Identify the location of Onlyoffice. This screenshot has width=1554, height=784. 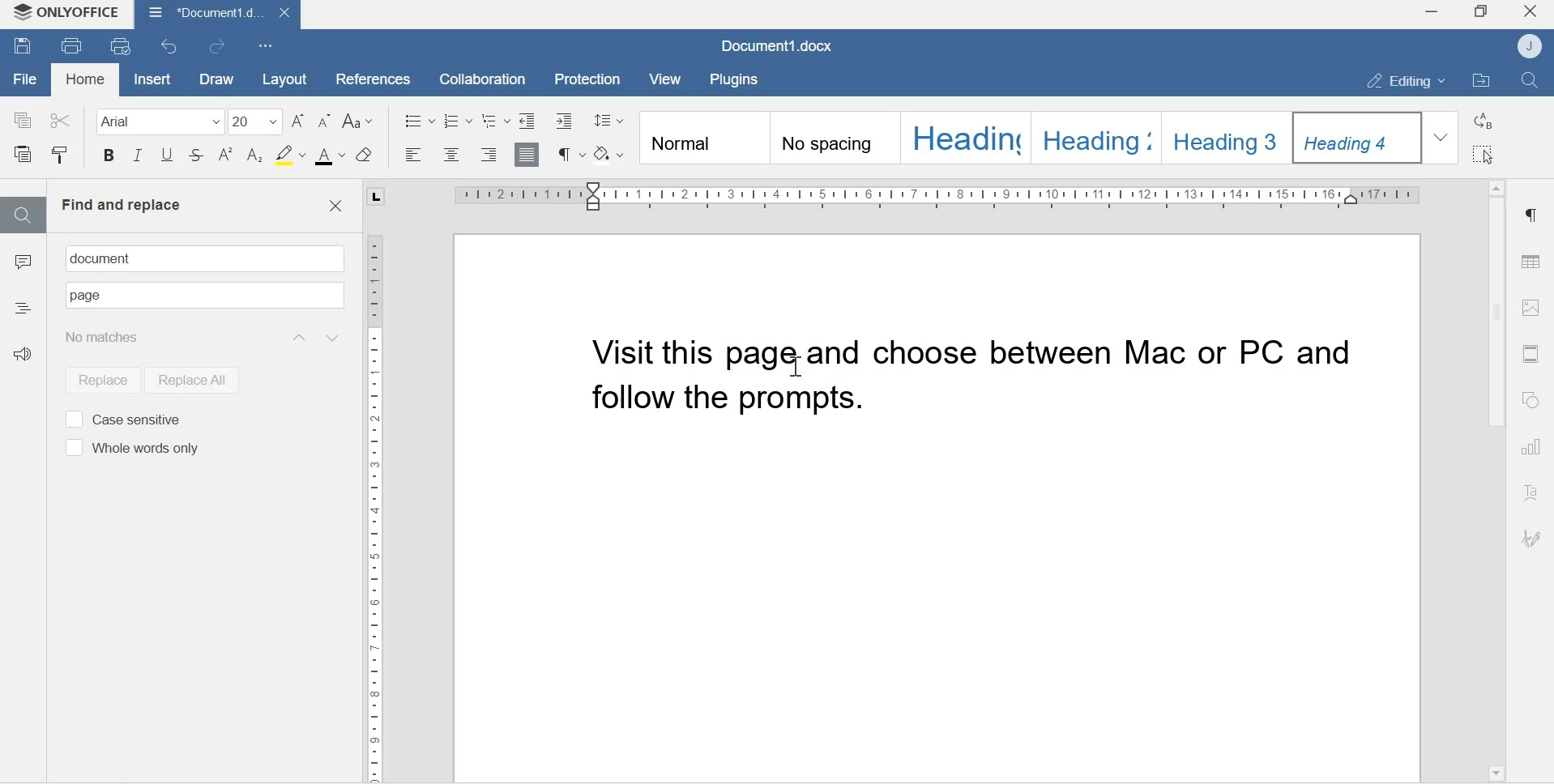
(67, 14).